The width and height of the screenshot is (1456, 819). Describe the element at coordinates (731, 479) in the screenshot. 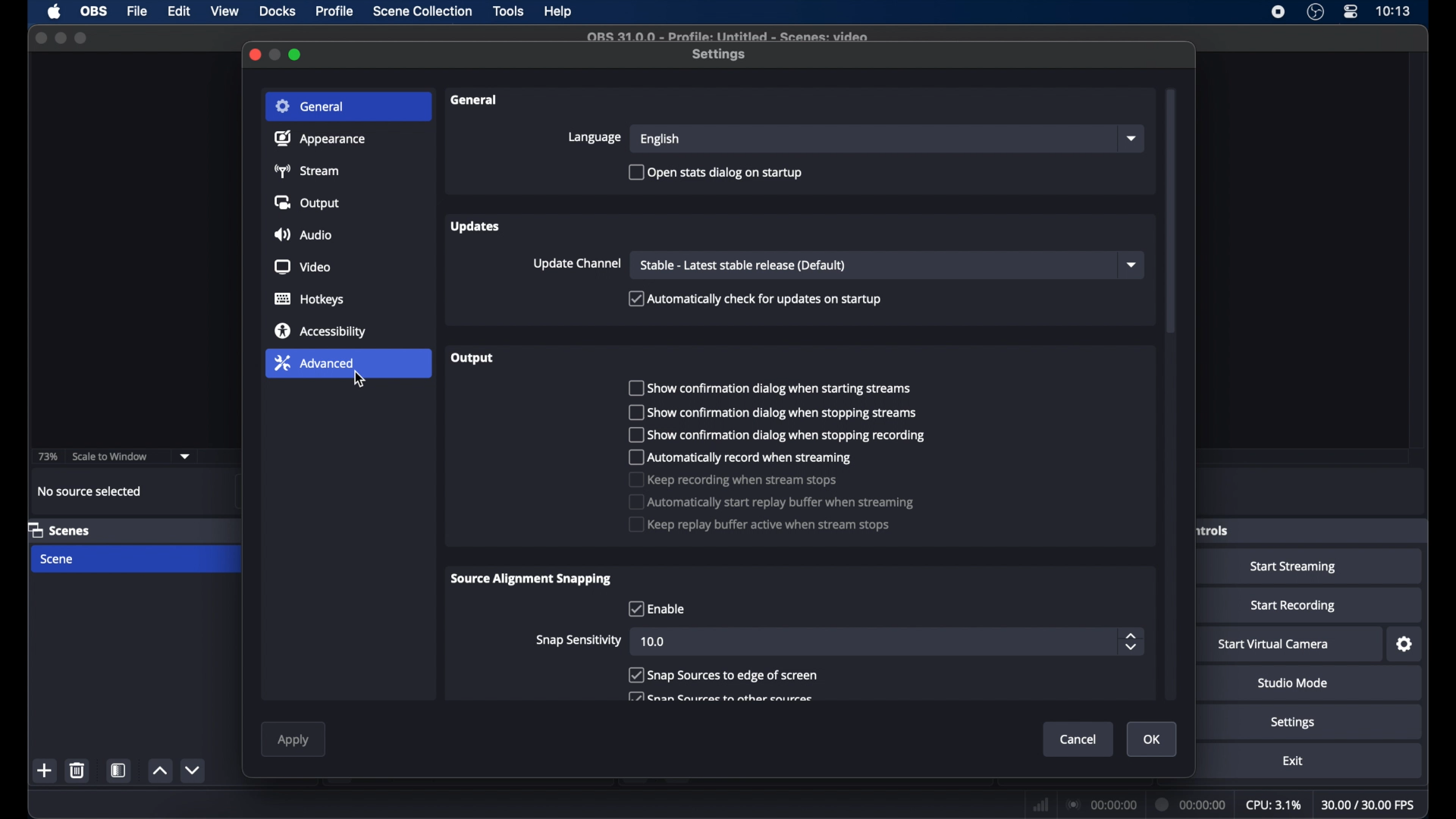

I see `checkbox` at that location.